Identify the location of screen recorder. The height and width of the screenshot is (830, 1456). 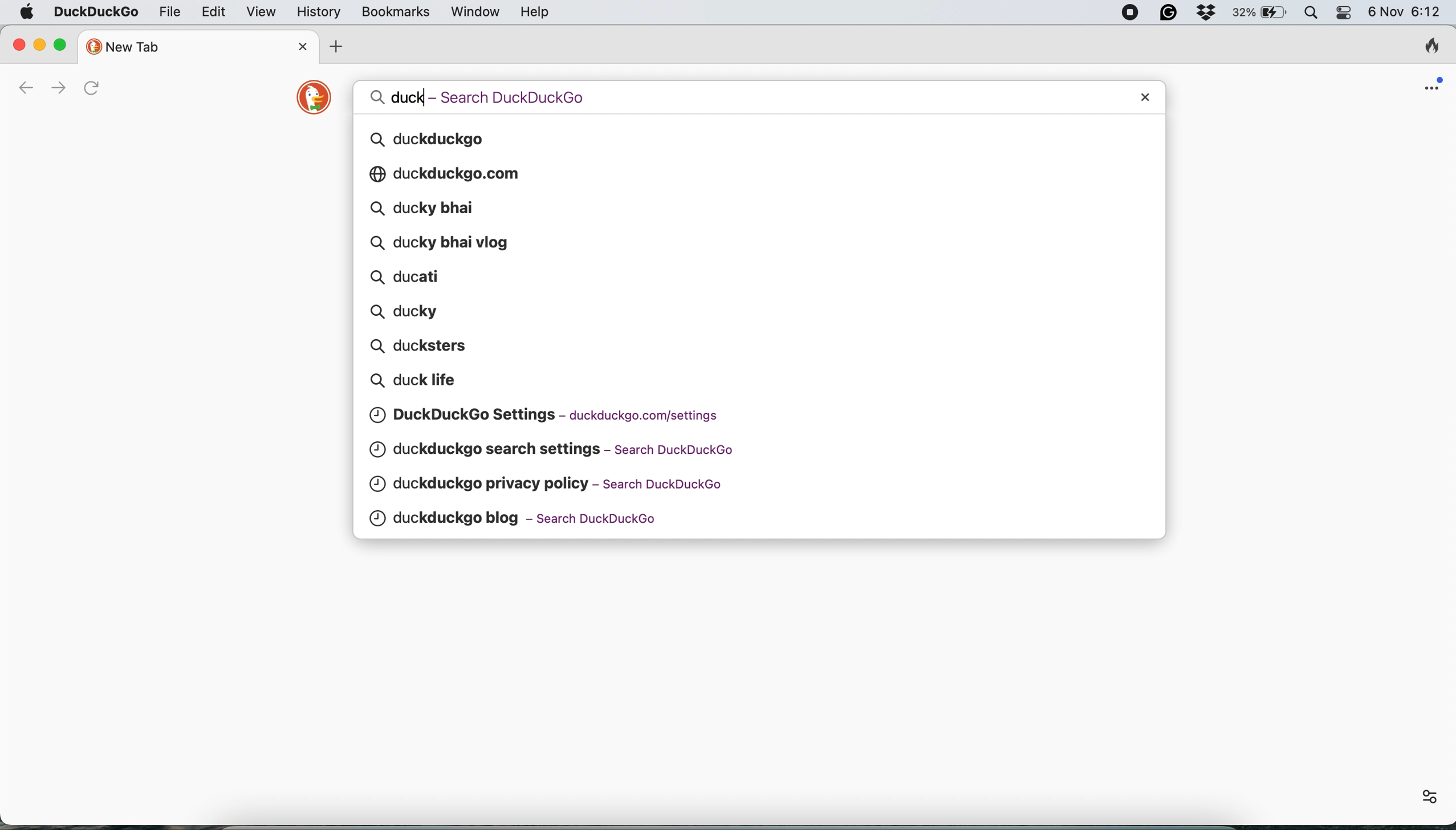
(1130, 13).